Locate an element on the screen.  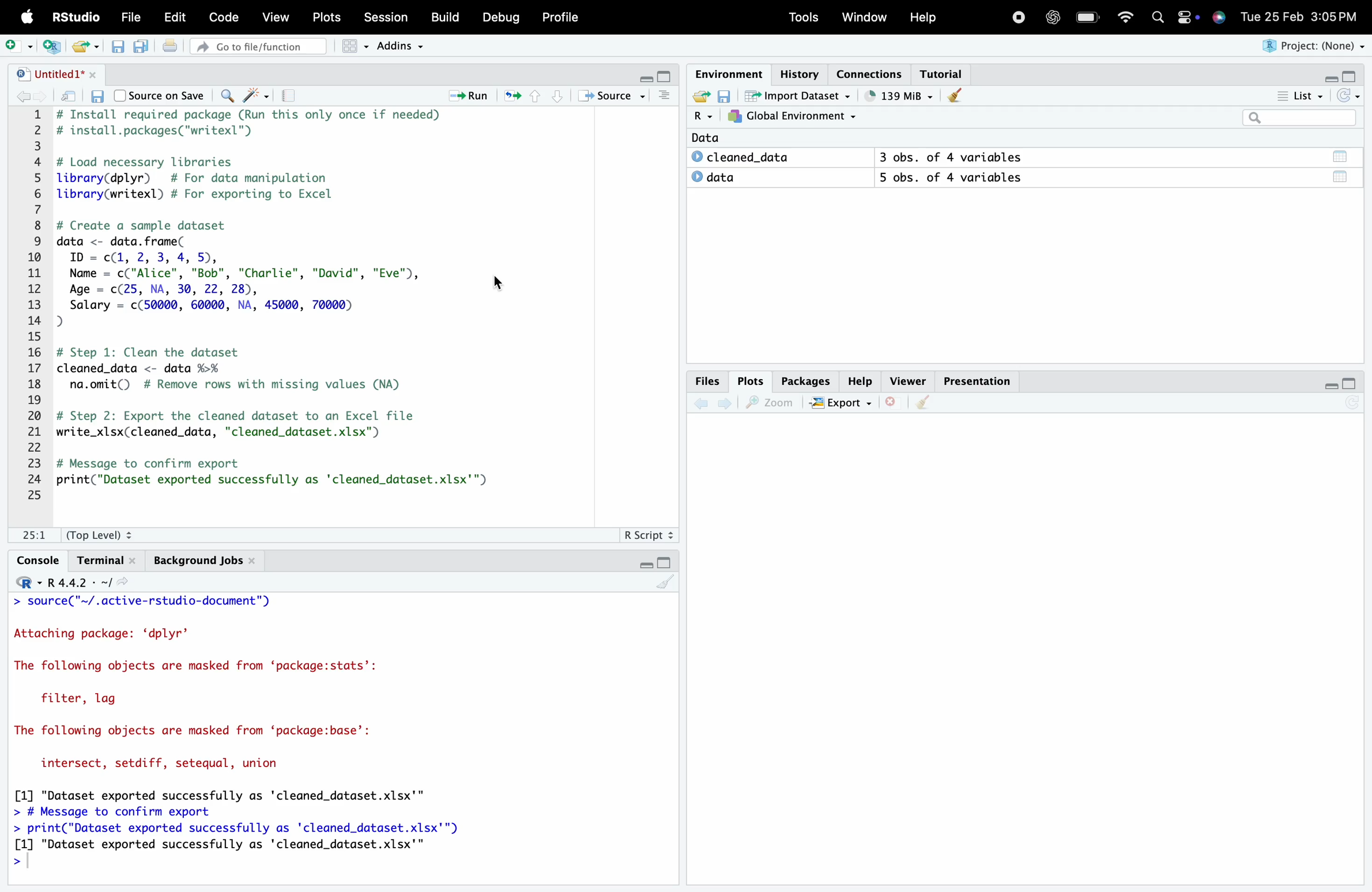
History is located at coordinates (798, 72).